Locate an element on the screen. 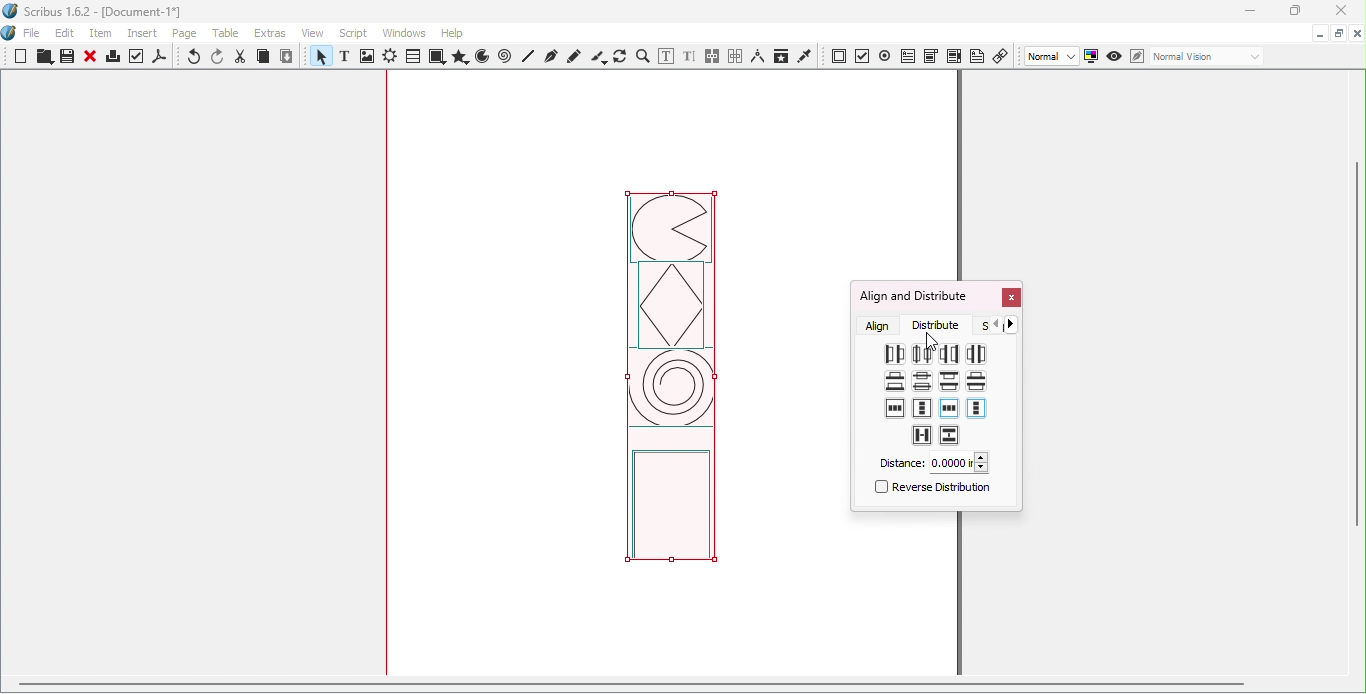  Reverse distribution is located at coordinates (930, 490).